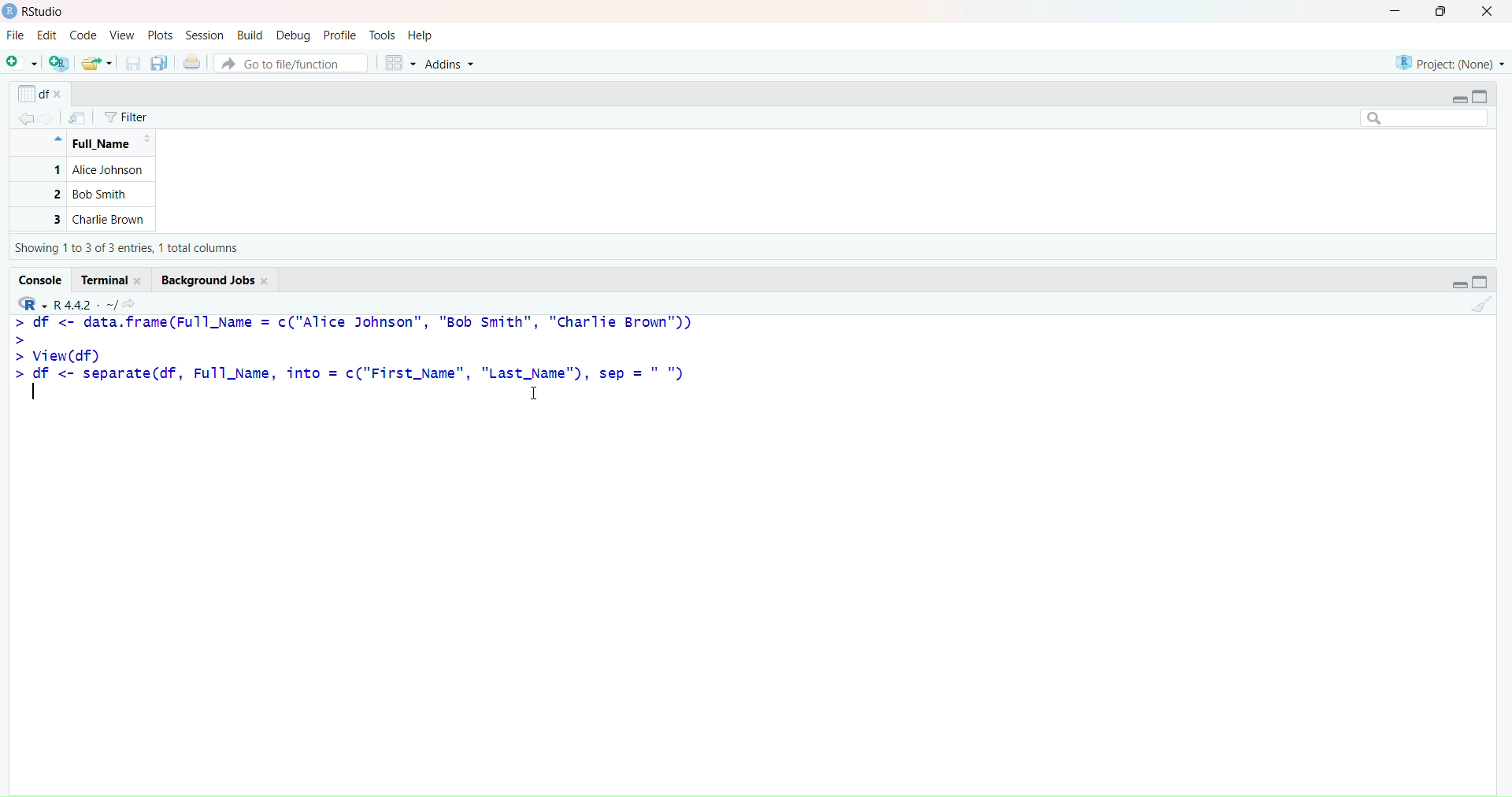 Image resolution: width=1512 pixels, height=797 pixels. I want to click on Minimize, so click(1458, 98).